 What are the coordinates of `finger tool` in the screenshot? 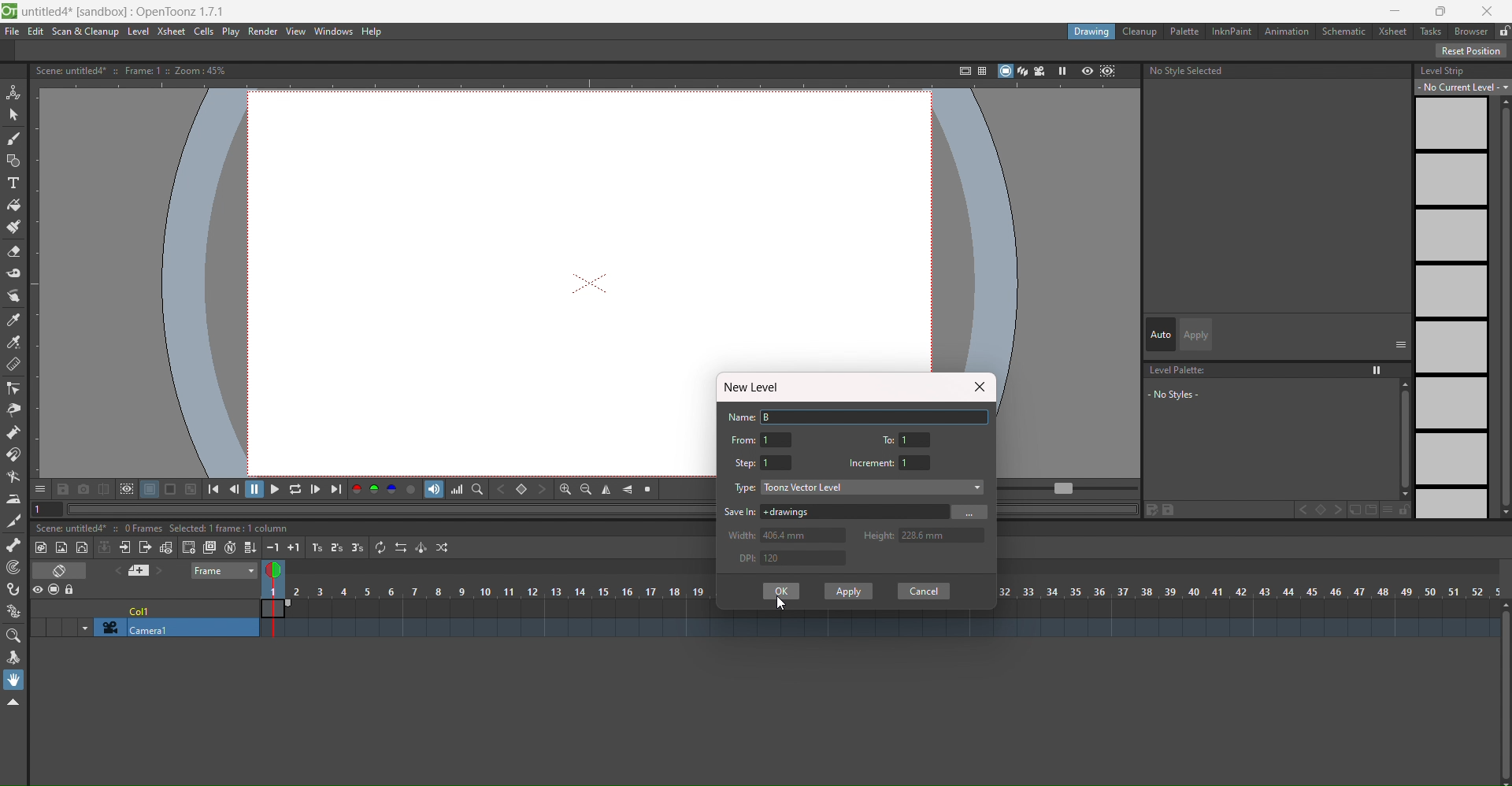 It's located at (13, 297).